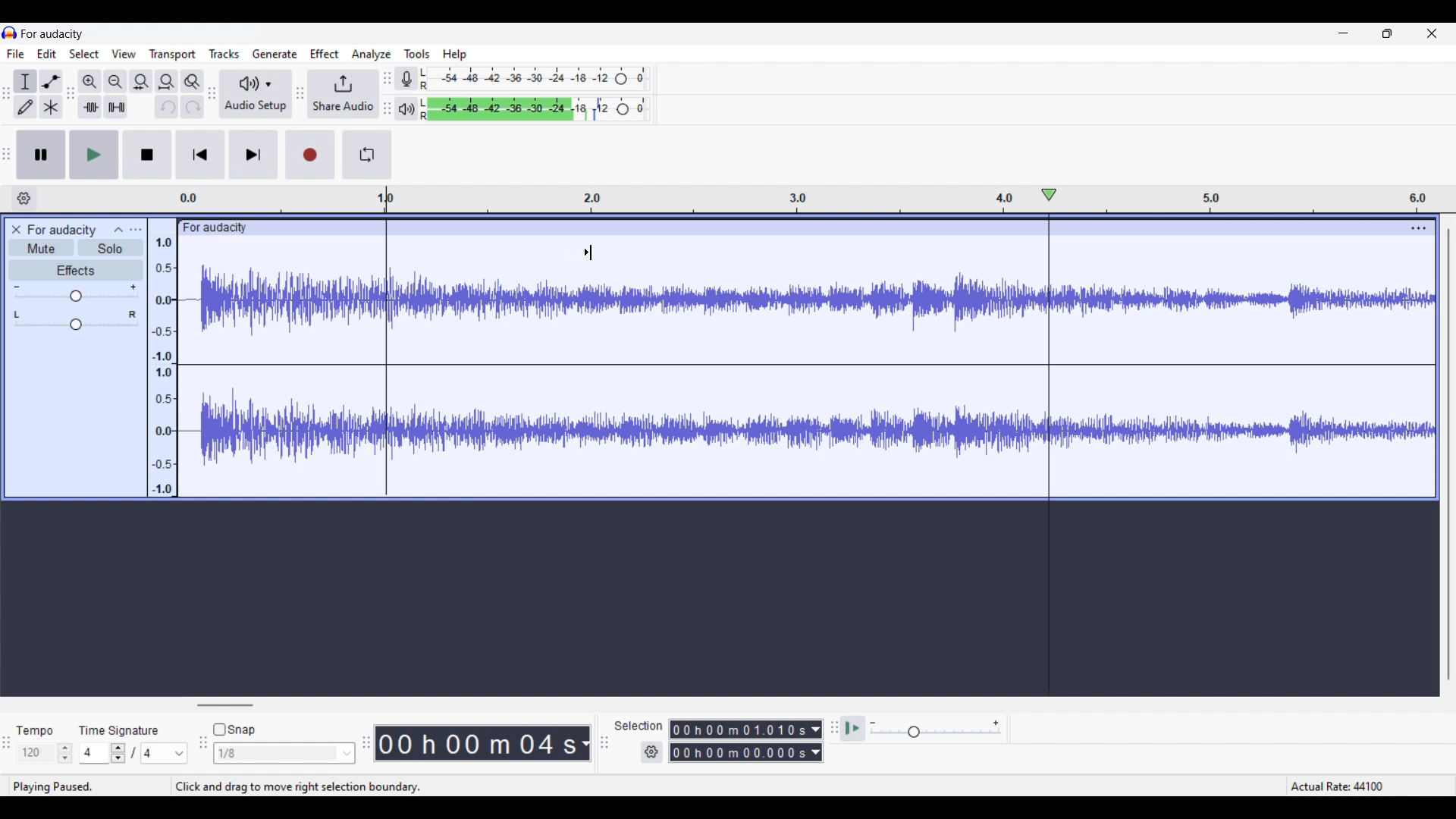 This screenshot has width=1456, height=819. Describe the element at coordinates (816, 741) in the screenshot. I see `Duration measurement options` at that location.